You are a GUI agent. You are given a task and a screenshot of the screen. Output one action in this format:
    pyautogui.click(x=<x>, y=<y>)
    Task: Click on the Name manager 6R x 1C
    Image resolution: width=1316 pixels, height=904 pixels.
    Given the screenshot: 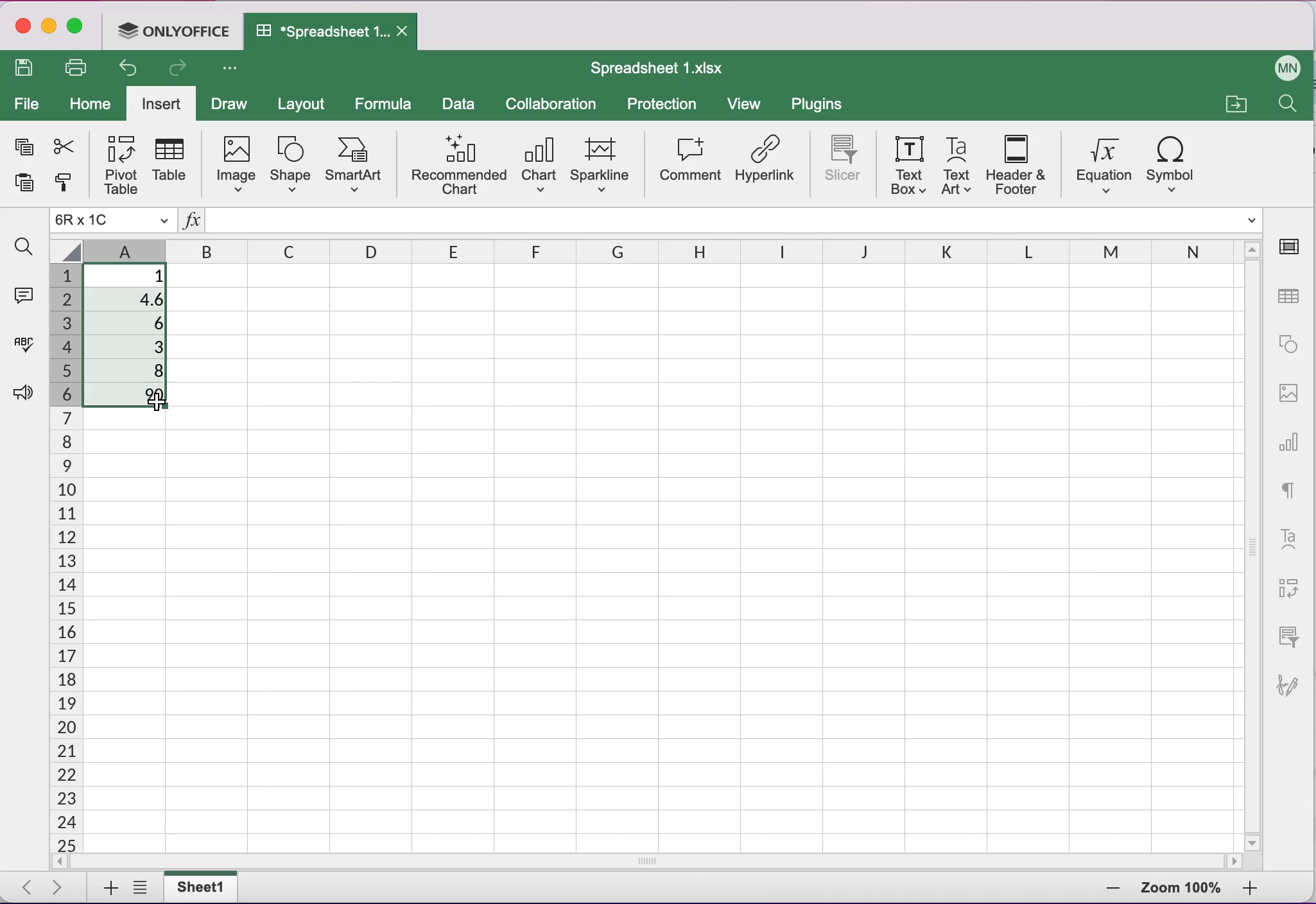 What is the action you would take?
    pyautogui.click(x=112, y=222)
    